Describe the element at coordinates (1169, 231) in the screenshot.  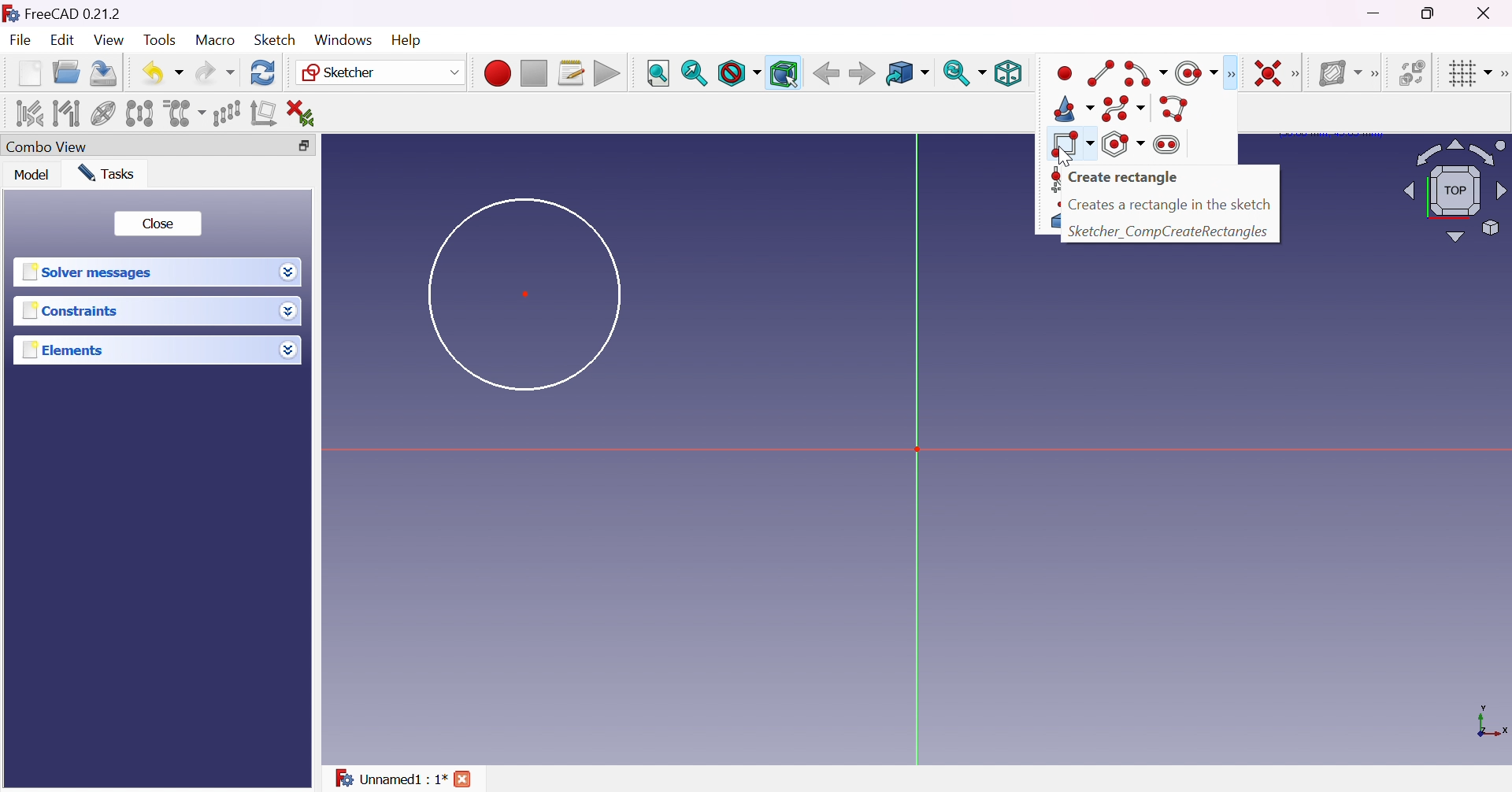
I see `text` at that location.